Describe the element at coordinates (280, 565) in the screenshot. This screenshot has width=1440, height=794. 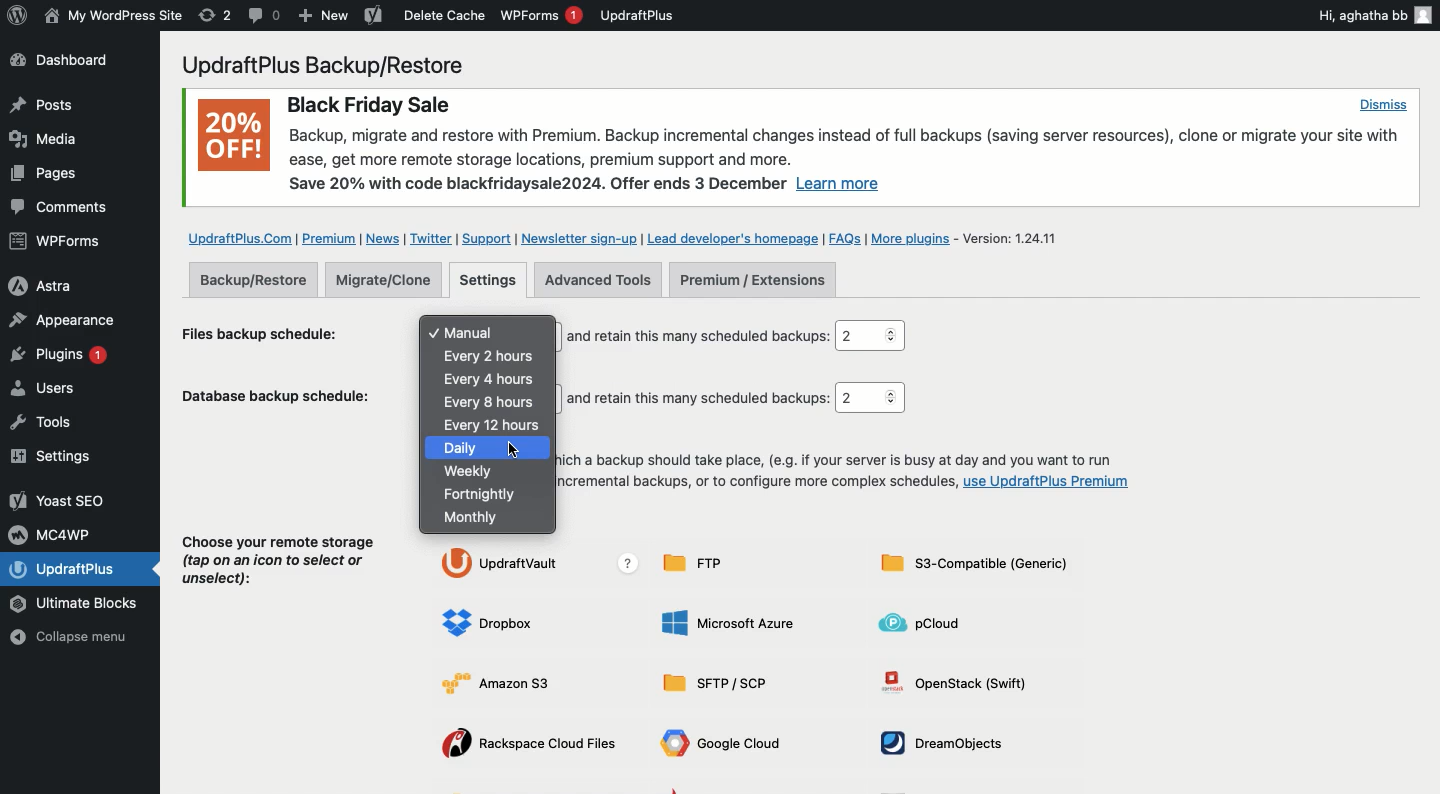
I see `Choose your remote storage
(tap on an icon to select or
unselect):` at that location.